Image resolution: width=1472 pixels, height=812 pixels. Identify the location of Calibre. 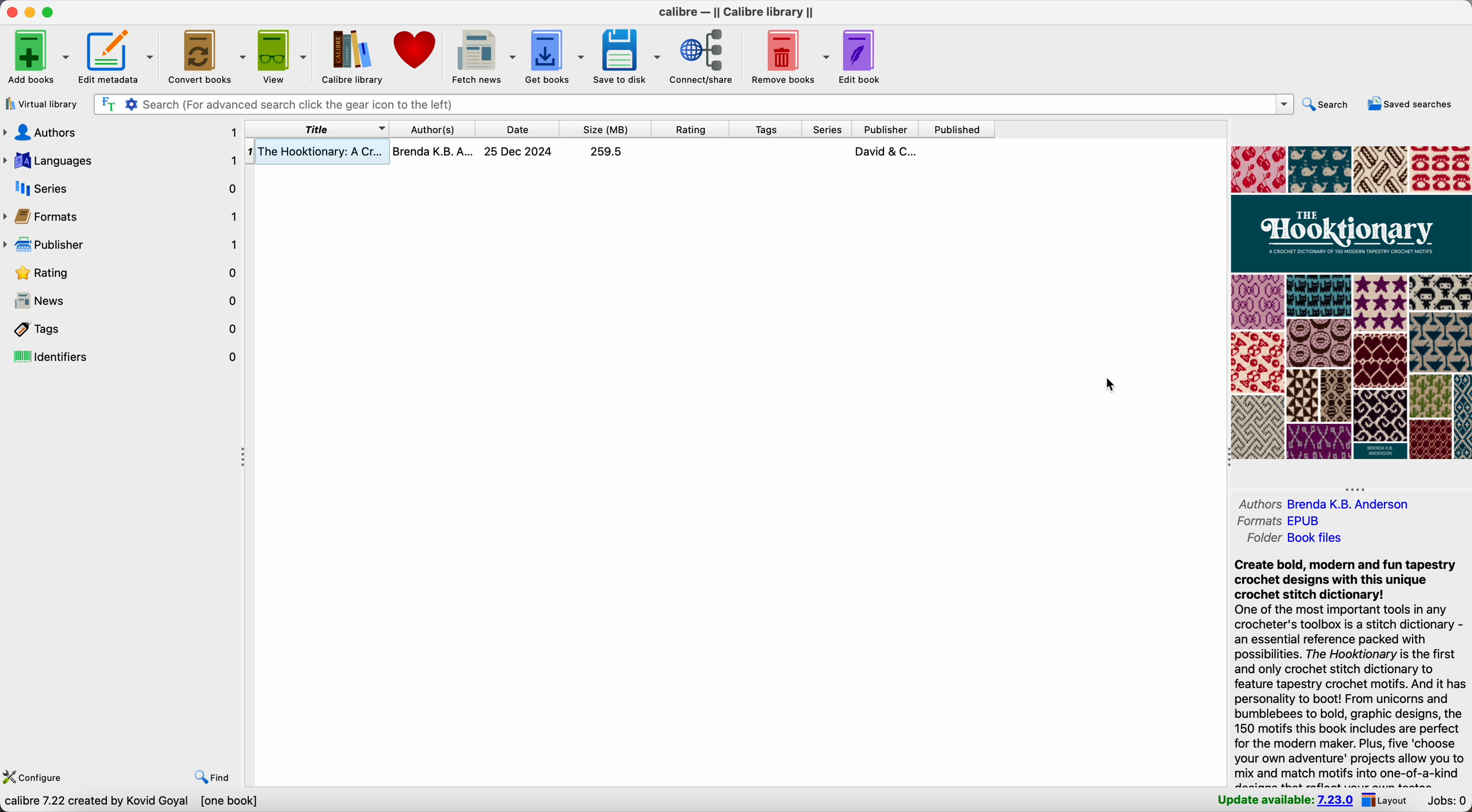
(736, 14).